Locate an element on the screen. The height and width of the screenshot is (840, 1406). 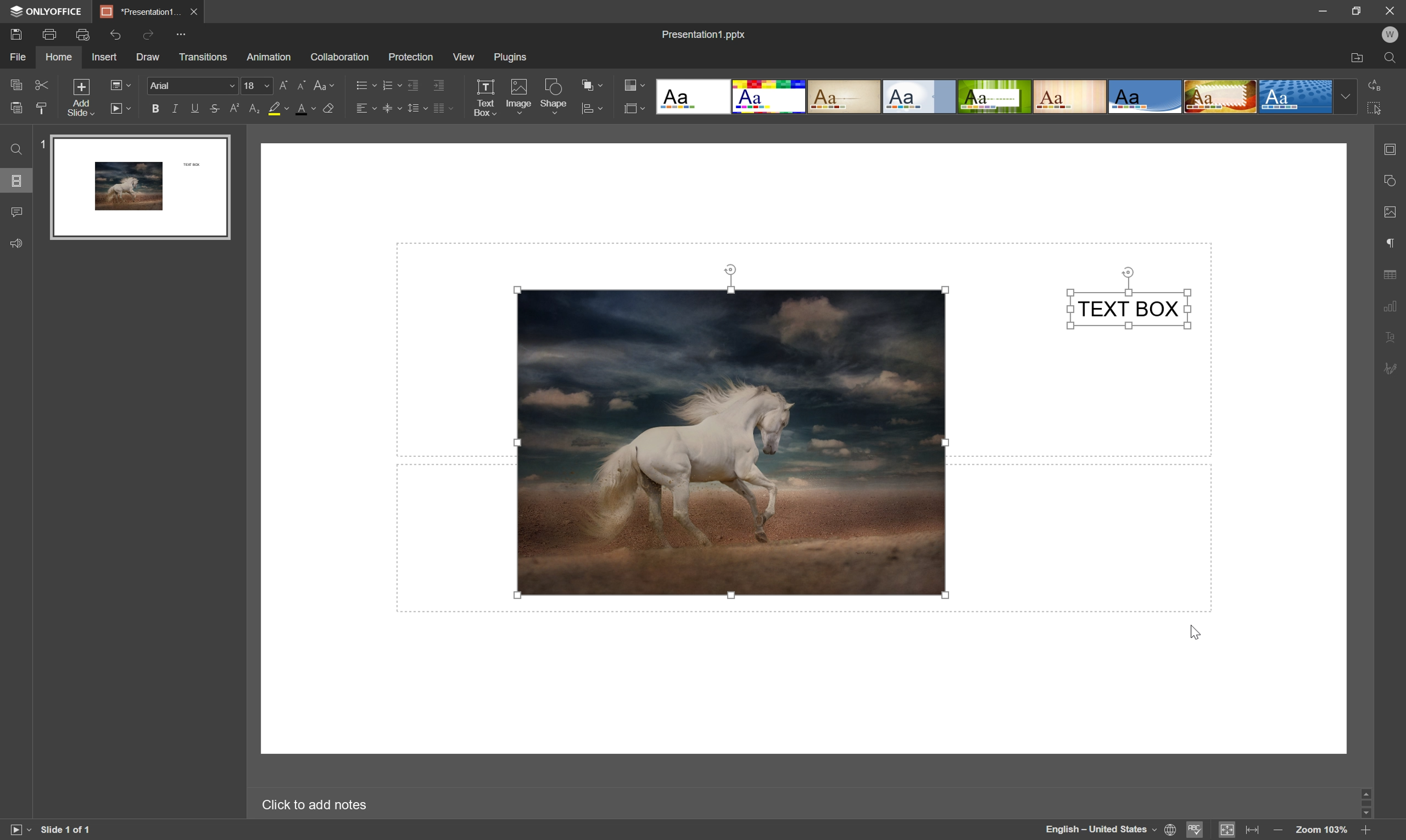
decrease indent is located at coordinates (413, 86).